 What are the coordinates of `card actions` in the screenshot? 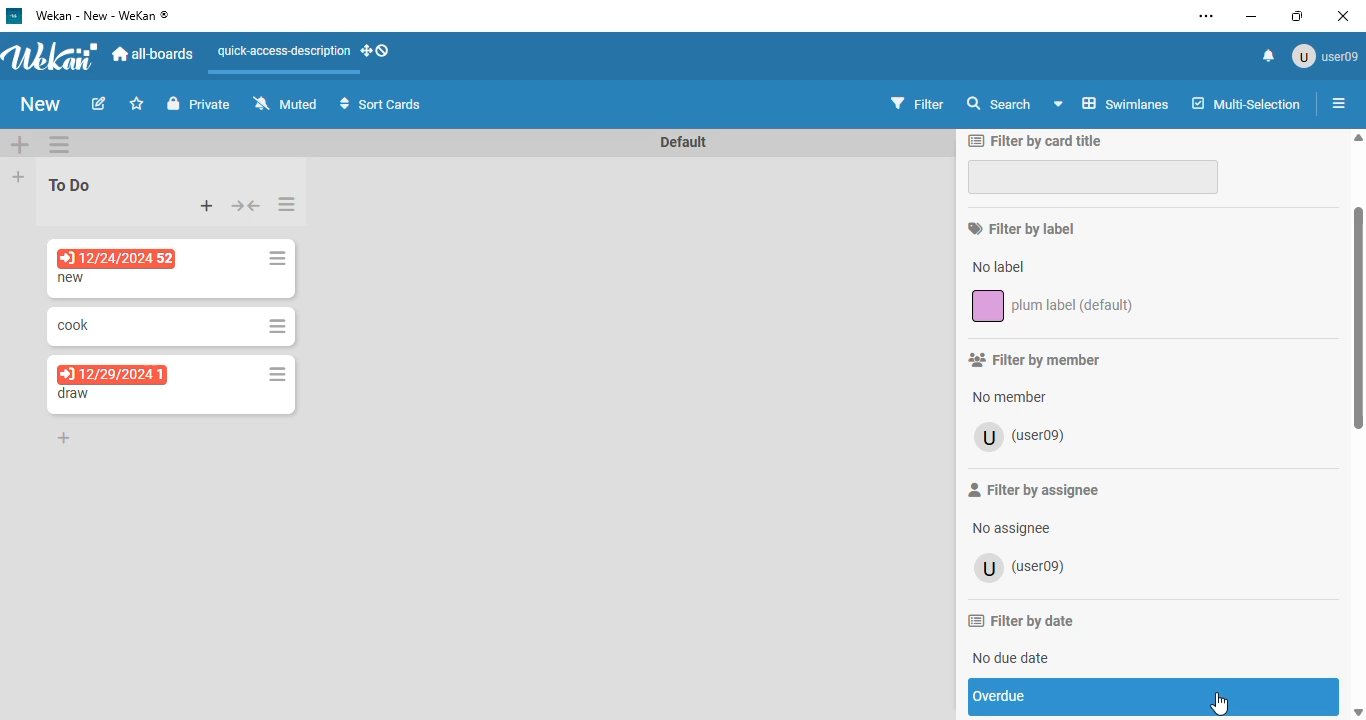 It's located at (277, 373).